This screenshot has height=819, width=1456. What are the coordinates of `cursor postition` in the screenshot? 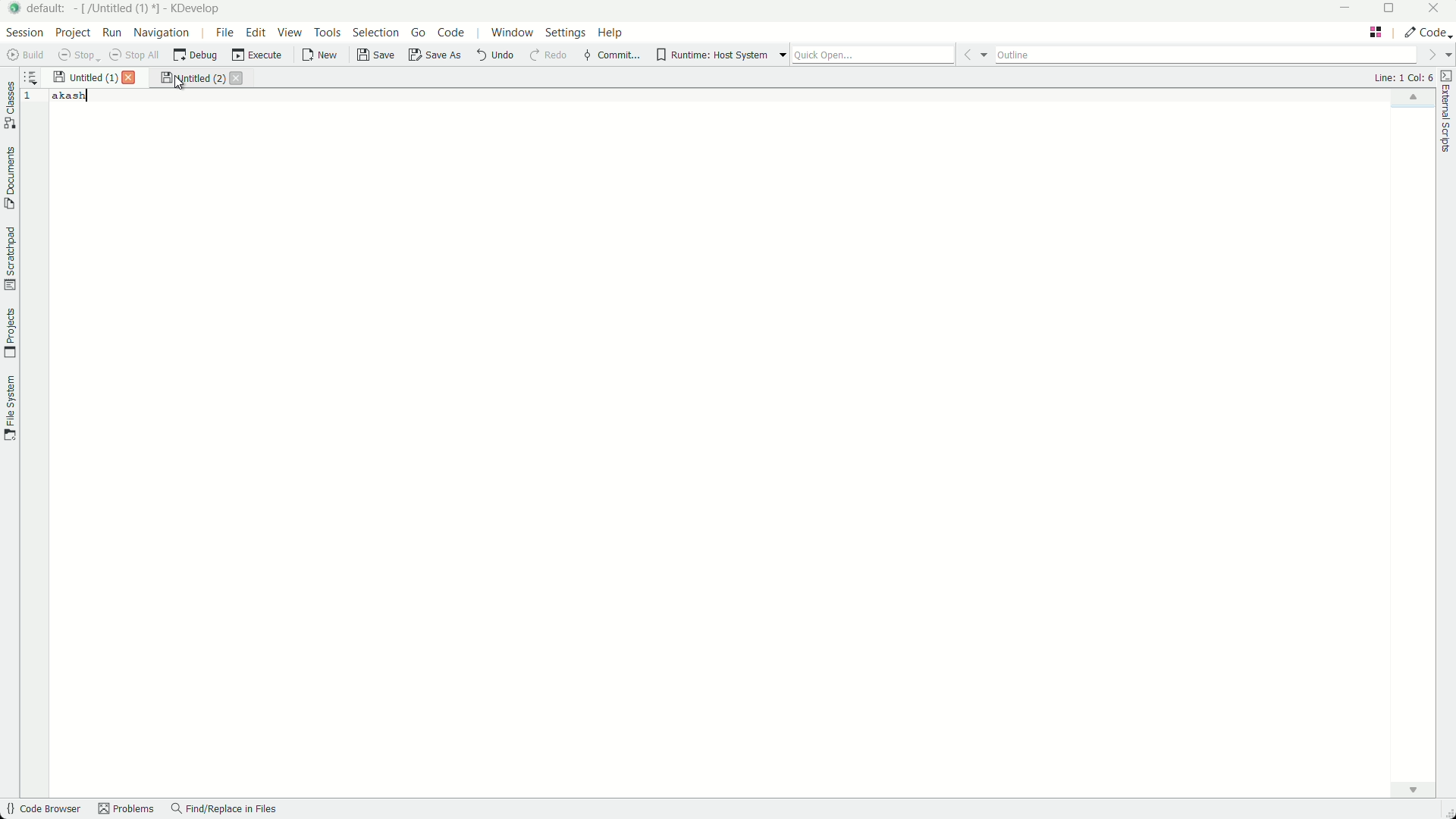 It's located at (1404, 77).